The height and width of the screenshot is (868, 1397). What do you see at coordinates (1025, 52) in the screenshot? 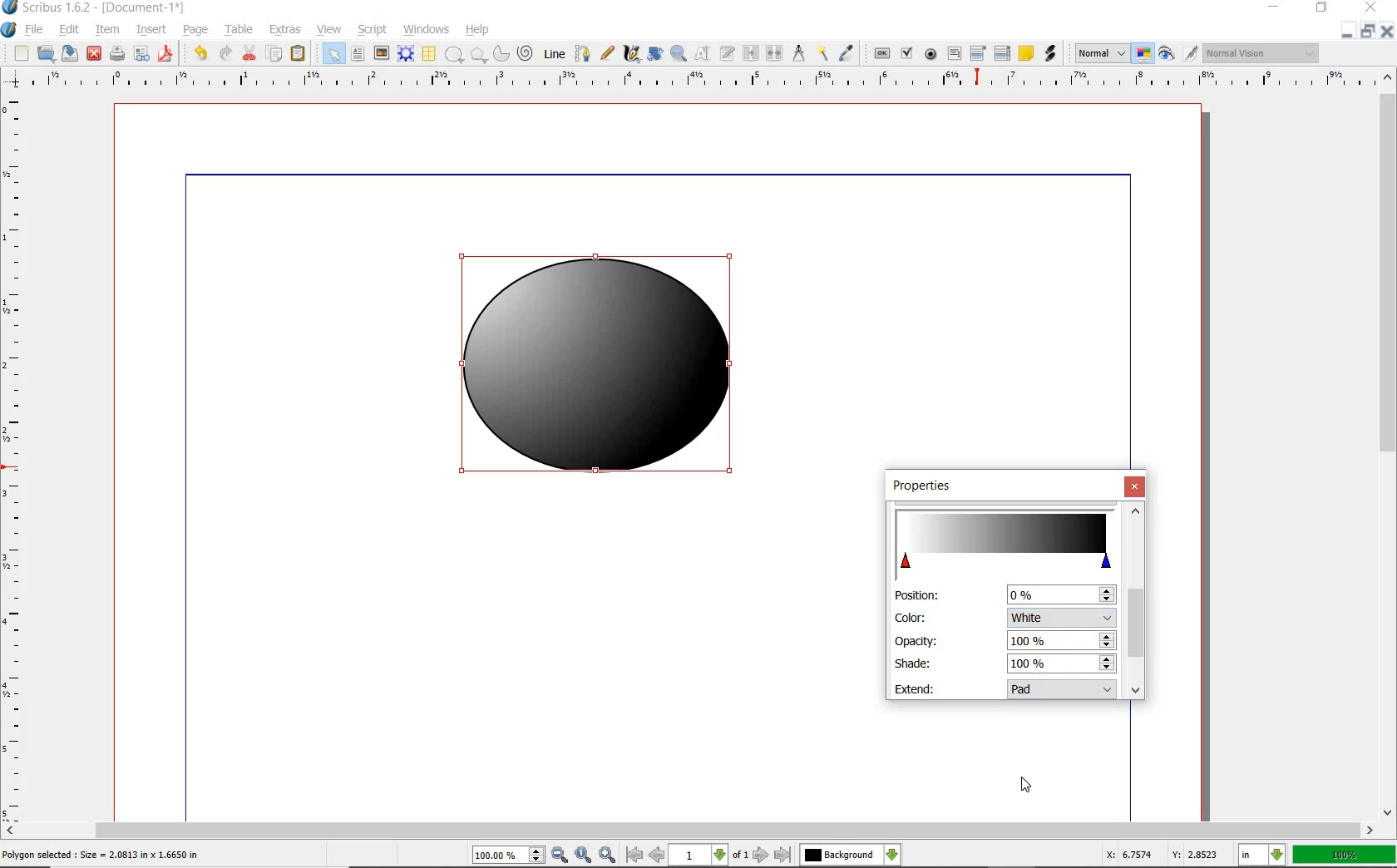
I see `TEXT ANNOATATION` at bounding box center [1025, 52].